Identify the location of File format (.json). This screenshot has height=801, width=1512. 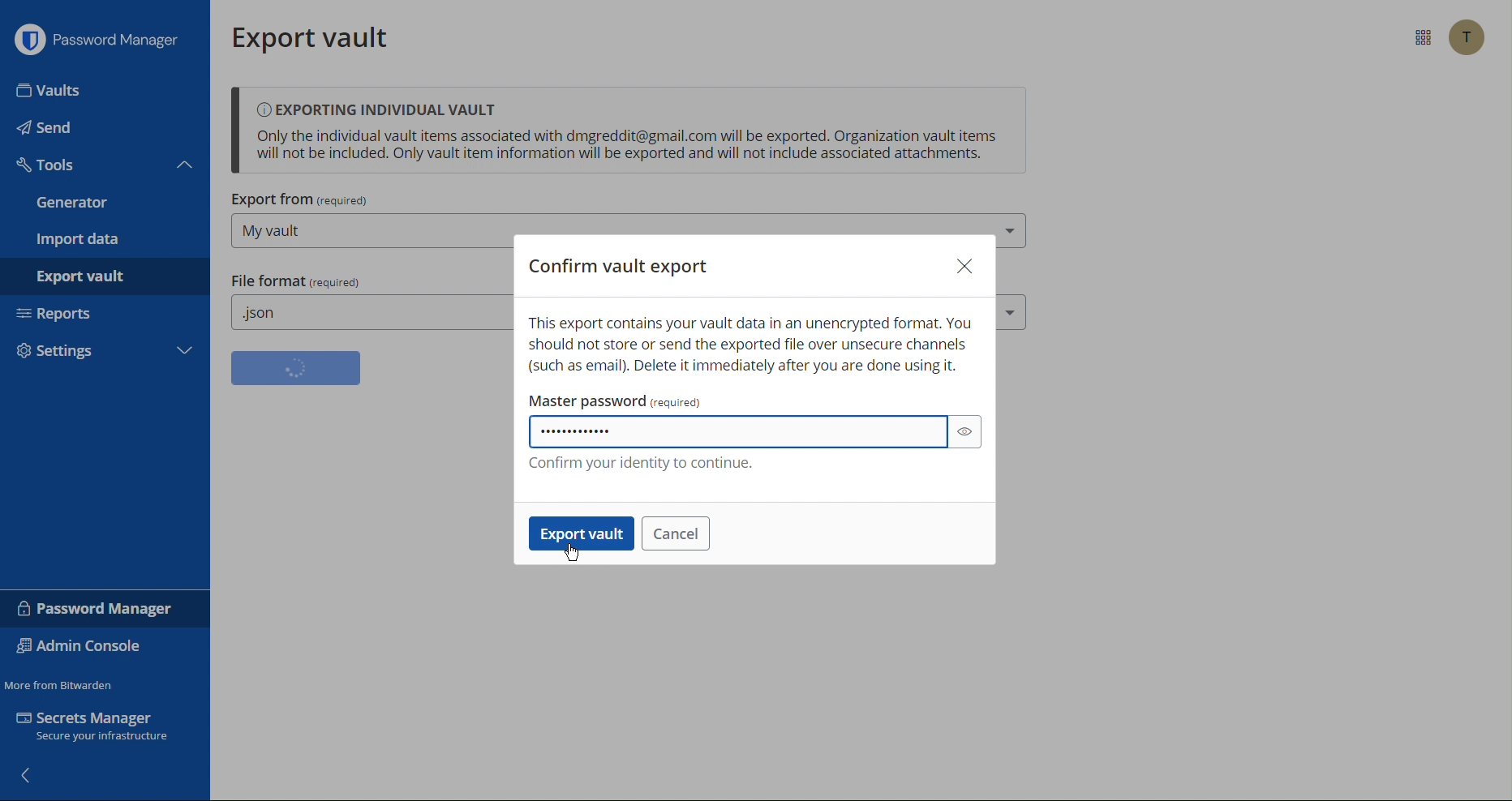
(366, 302).